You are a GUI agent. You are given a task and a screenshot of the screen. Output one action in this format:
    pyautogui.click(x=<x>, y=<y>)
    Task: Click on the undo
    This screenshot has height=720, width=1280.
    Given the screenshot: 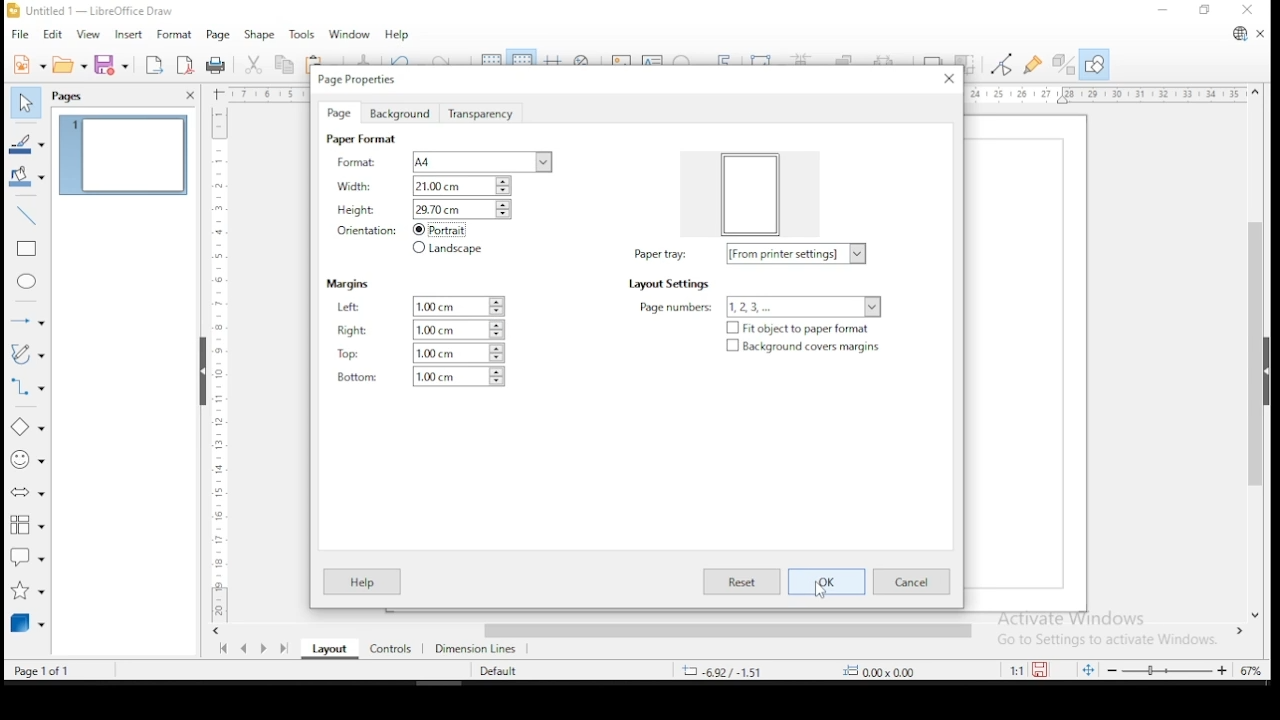 What is the action you would take?
    pyautogui.click(x=407, y=58)
    